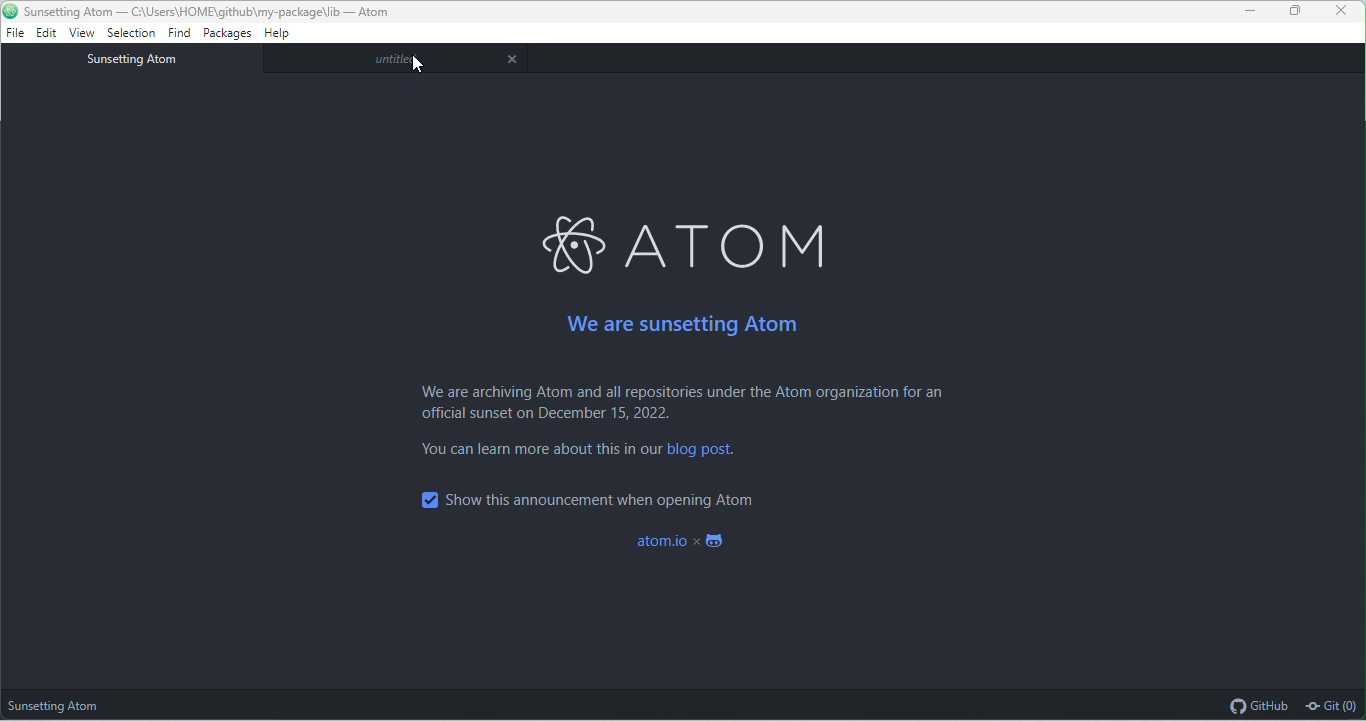 The image size is (1366, 722). I want to click on text on atom, so click(669, 400).